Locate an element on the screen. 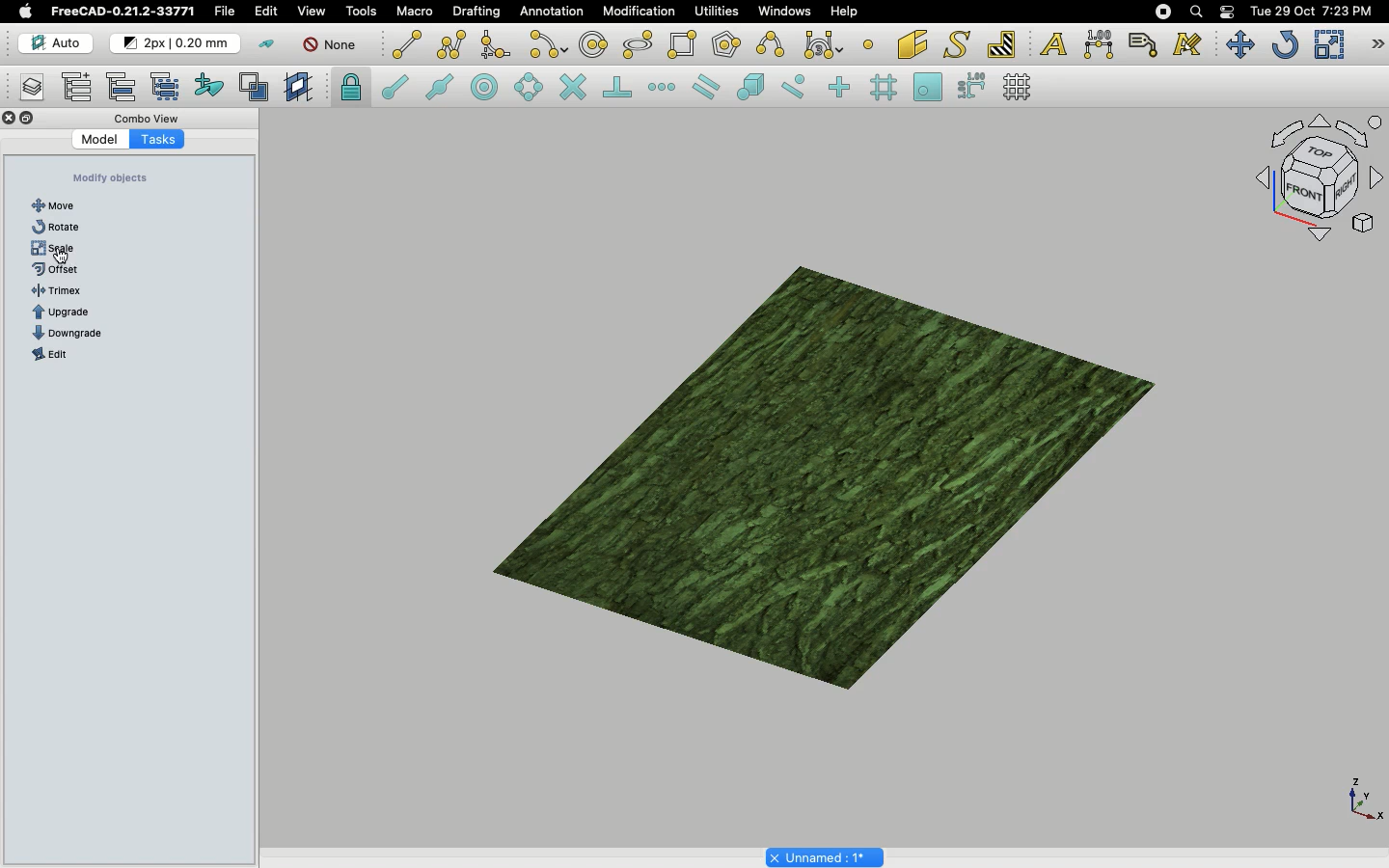  Axis is located at coordinates (1362, 799).